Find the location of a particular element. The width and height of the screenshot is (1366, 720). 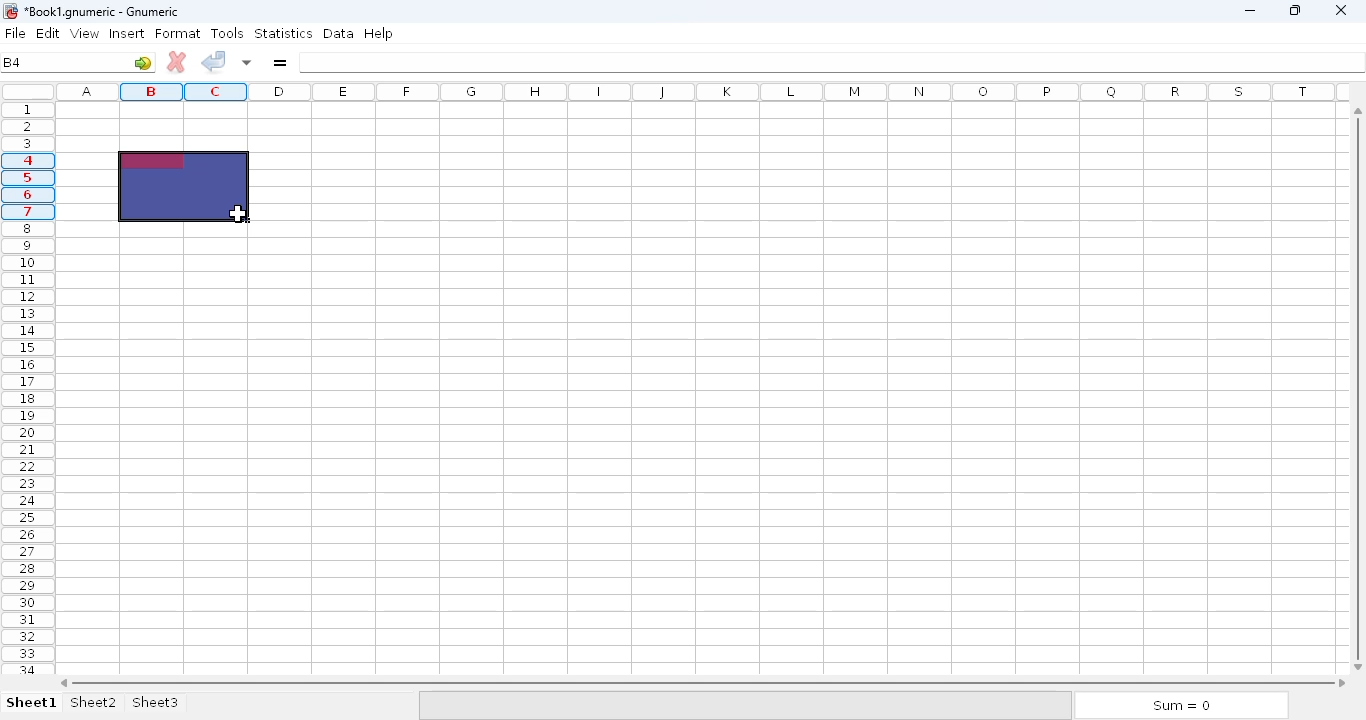

statistics is located at coordinates (283, 33).